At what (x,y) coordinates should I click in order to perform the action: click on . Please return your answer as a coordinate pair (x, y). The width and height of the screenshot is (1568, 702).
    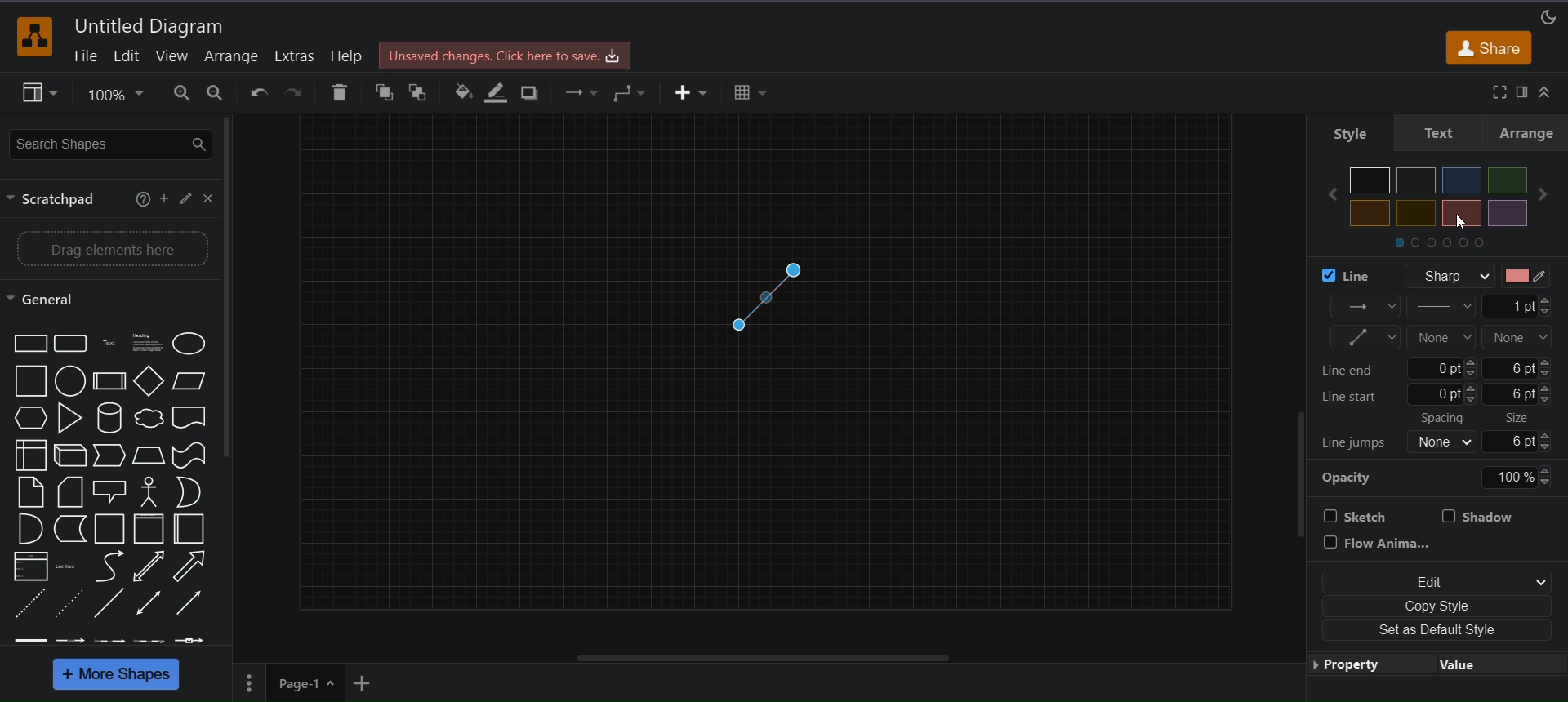
    Looking at the image, I should click on (1441, 478).